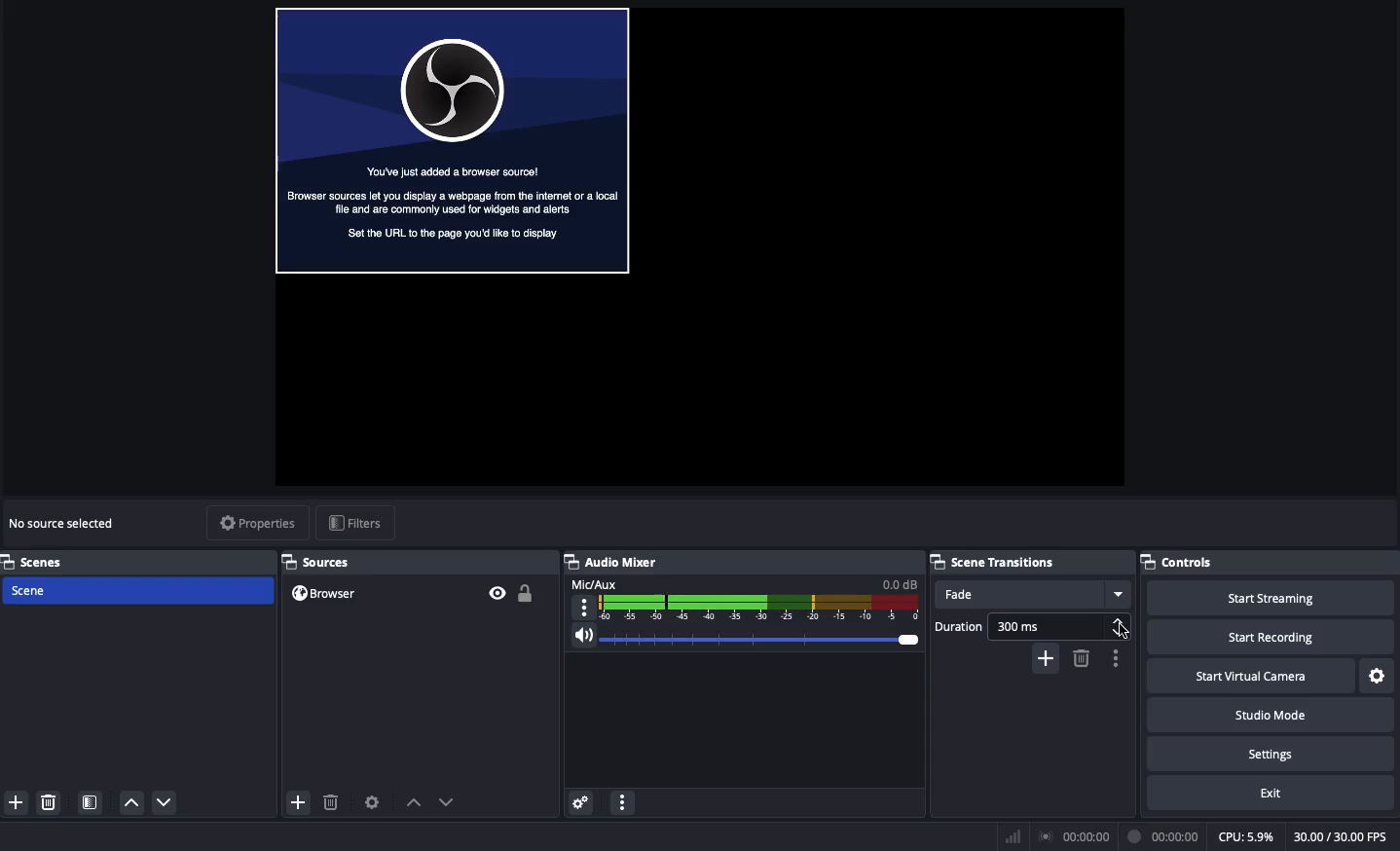 Image resolution: width=1400 pixels, height=851 pixels. What do you see at coordinates (1120, 665) in the screenshot?
I see `options` at bounding box center [1120, 665].